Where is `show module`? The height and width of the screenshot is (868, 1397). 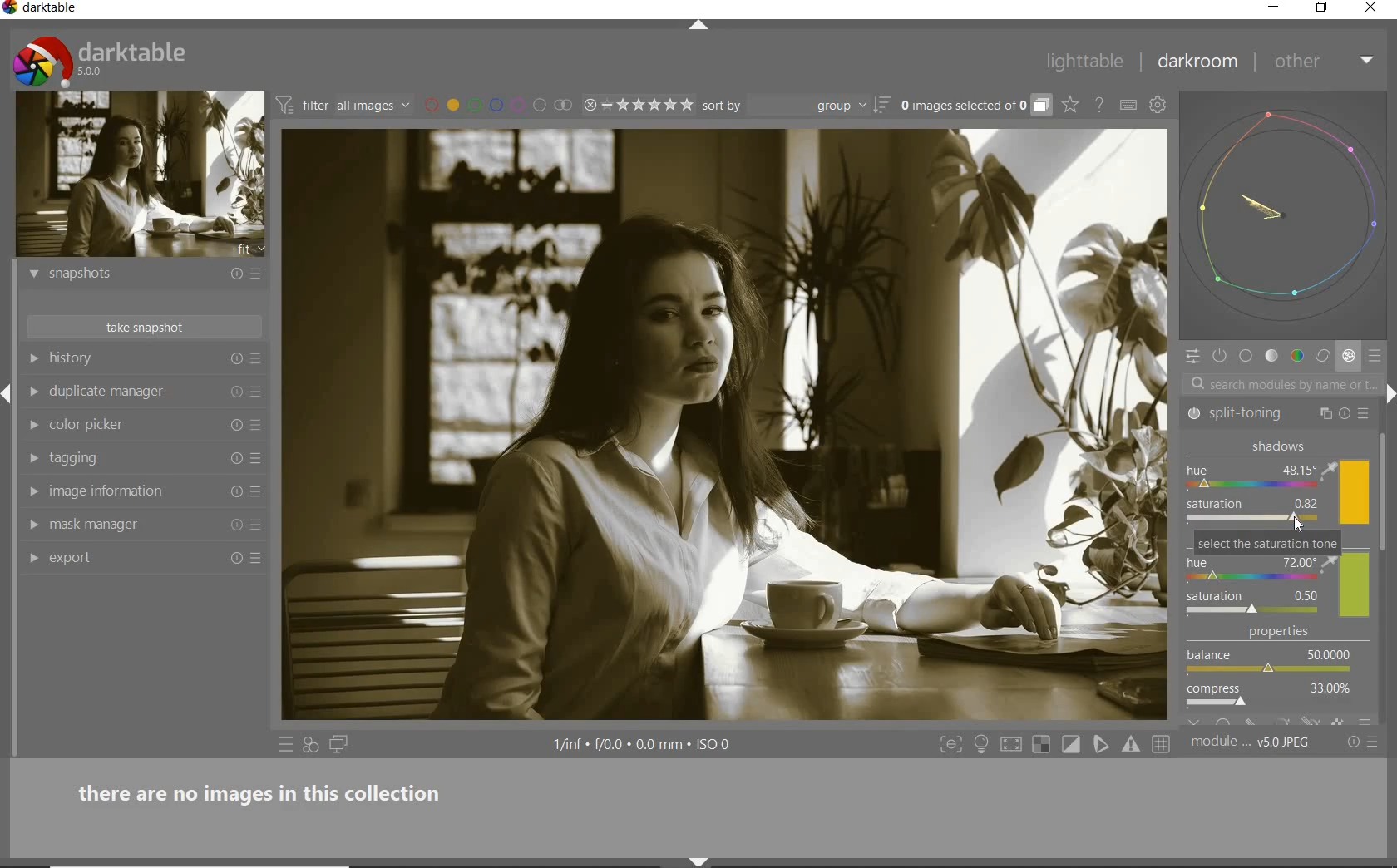
show module is located at coordinates (33, 392).